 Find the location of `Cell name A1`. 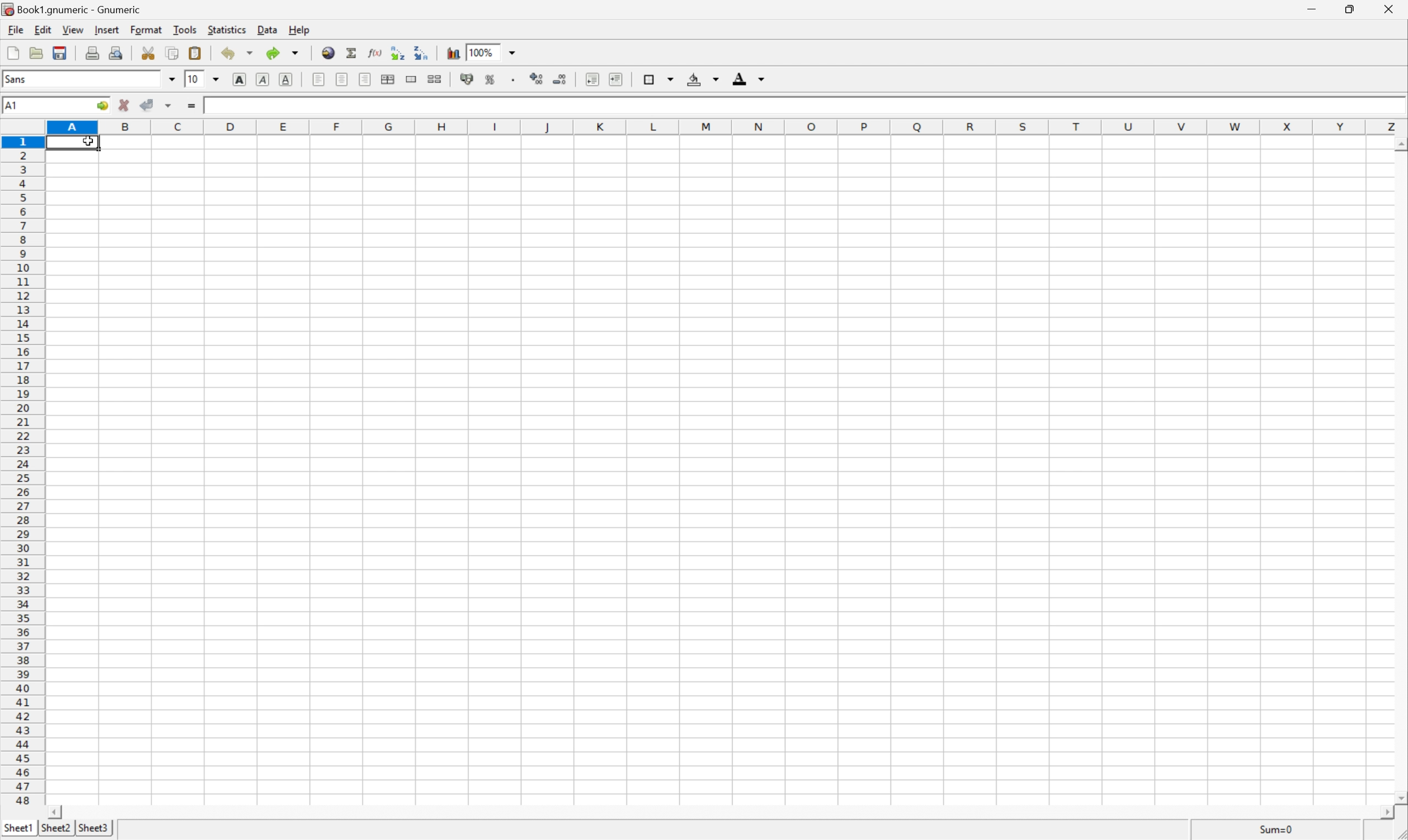

Cell name A1 is located at coordinates (43, 106).